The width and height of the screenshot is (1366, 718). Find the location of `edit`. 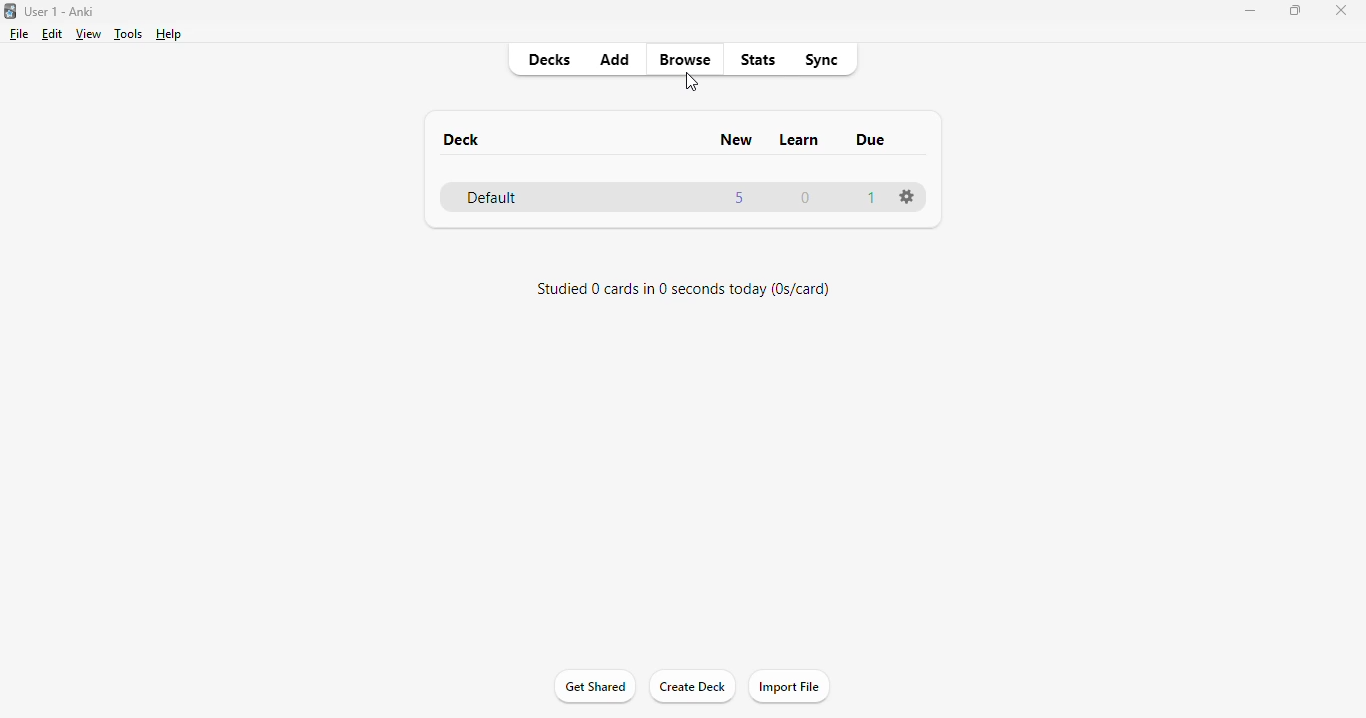

edit is located at coordinates (51, 34).